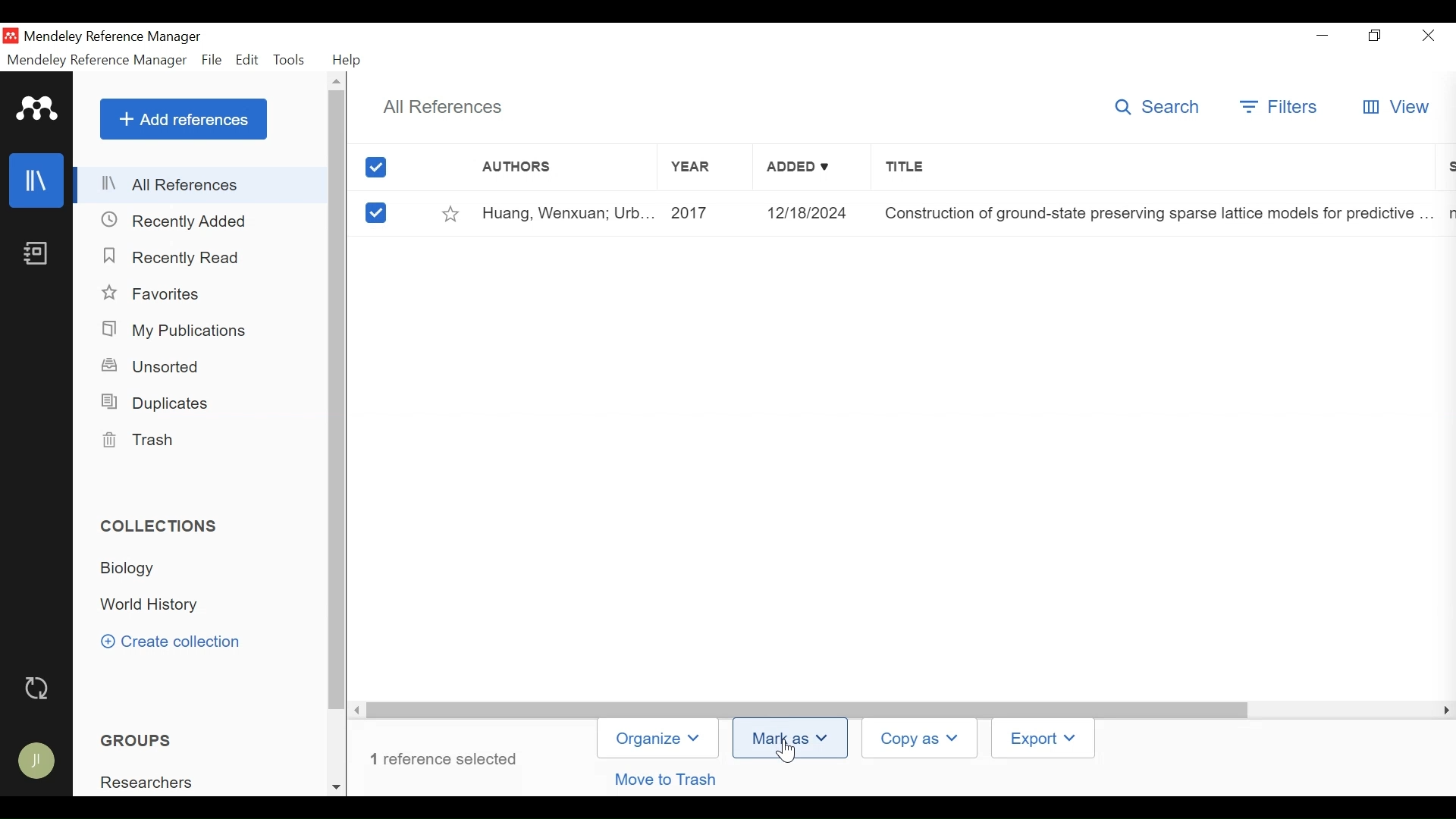 The height and width of the screenshot is (819, 1456). What do you see at coordinates (442, 757) in the screenshot?
I see `Number of references selected` at bounding box center [442, 757].